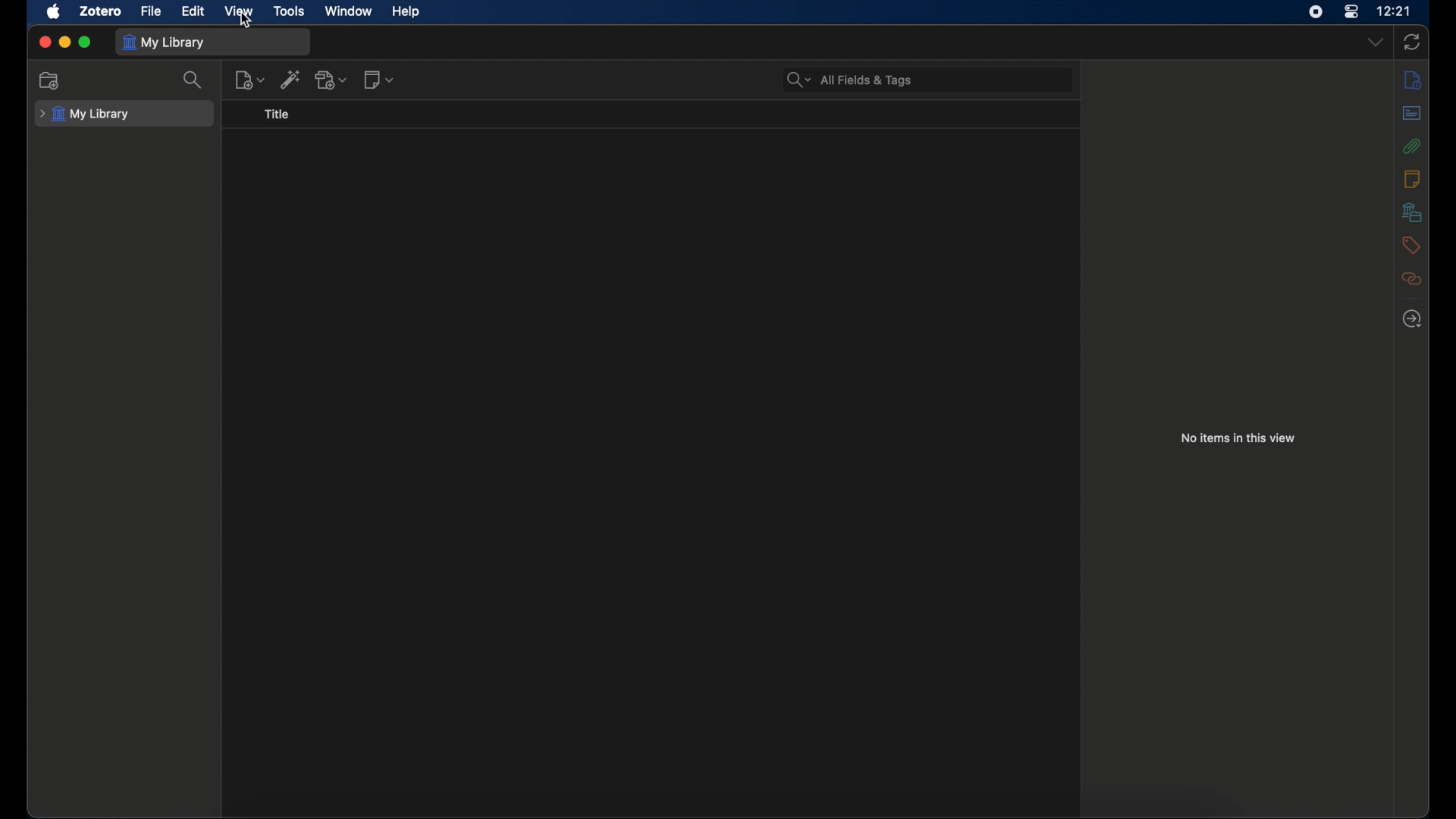  Describe the element at coordinates (240, 11) in the screenshot. I see `view` at that location.